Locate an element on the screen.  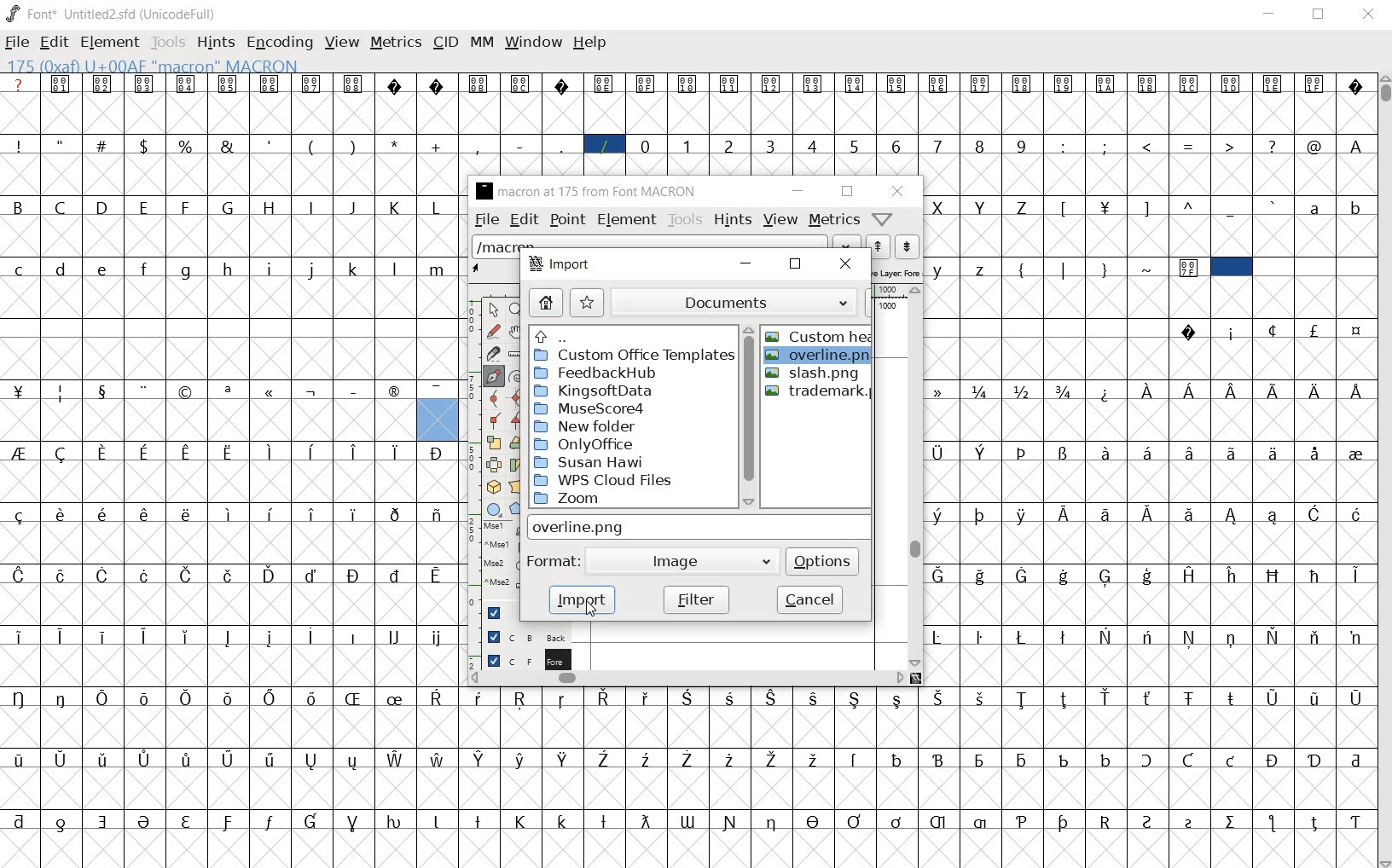
maximize is located at coordinates (848, 192).